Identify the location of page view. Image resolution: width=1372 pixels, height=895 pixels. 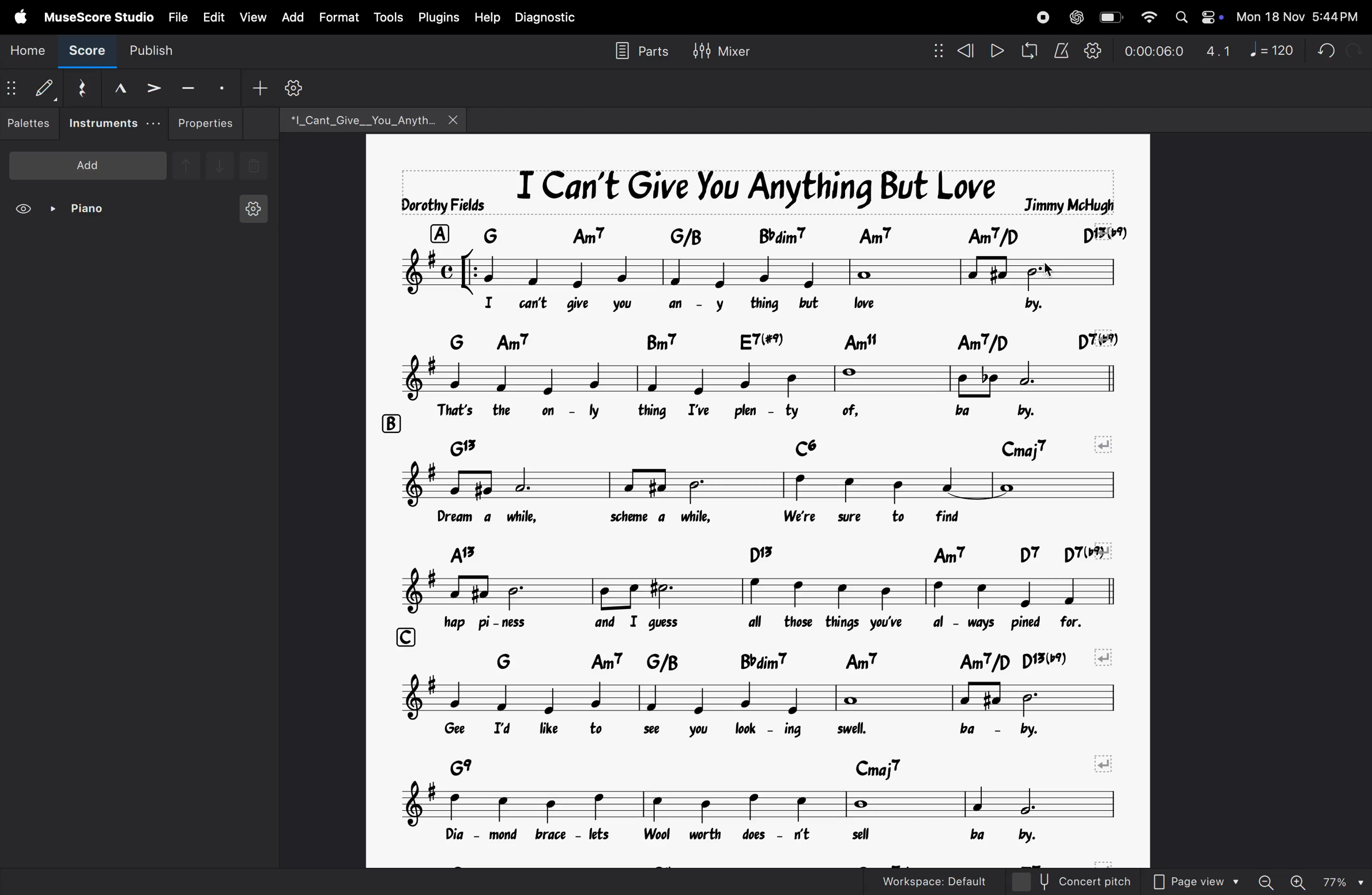
(1195, 882).